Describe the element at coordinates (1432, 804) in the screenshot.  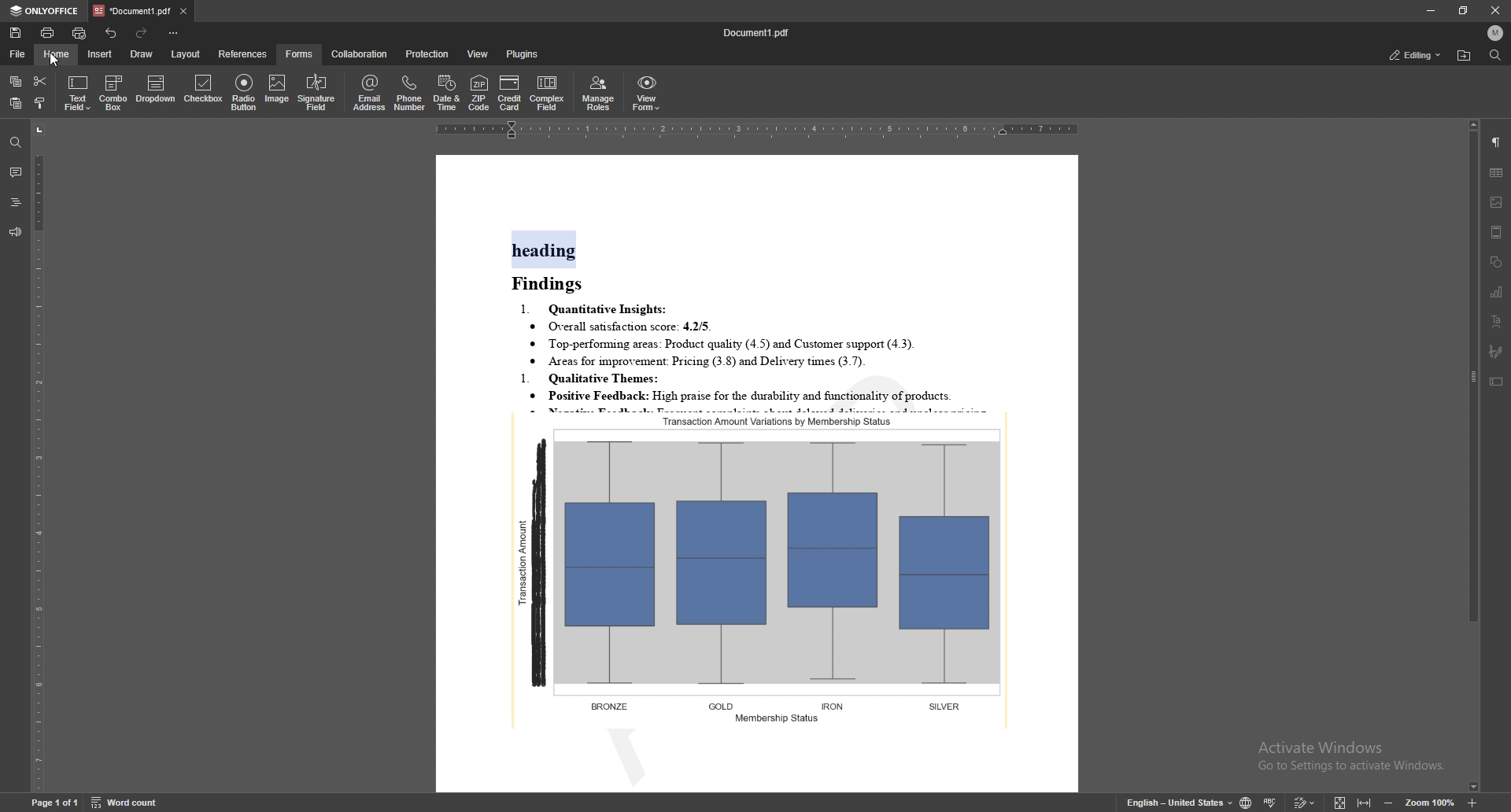
I see `zoom 100%` at that location.